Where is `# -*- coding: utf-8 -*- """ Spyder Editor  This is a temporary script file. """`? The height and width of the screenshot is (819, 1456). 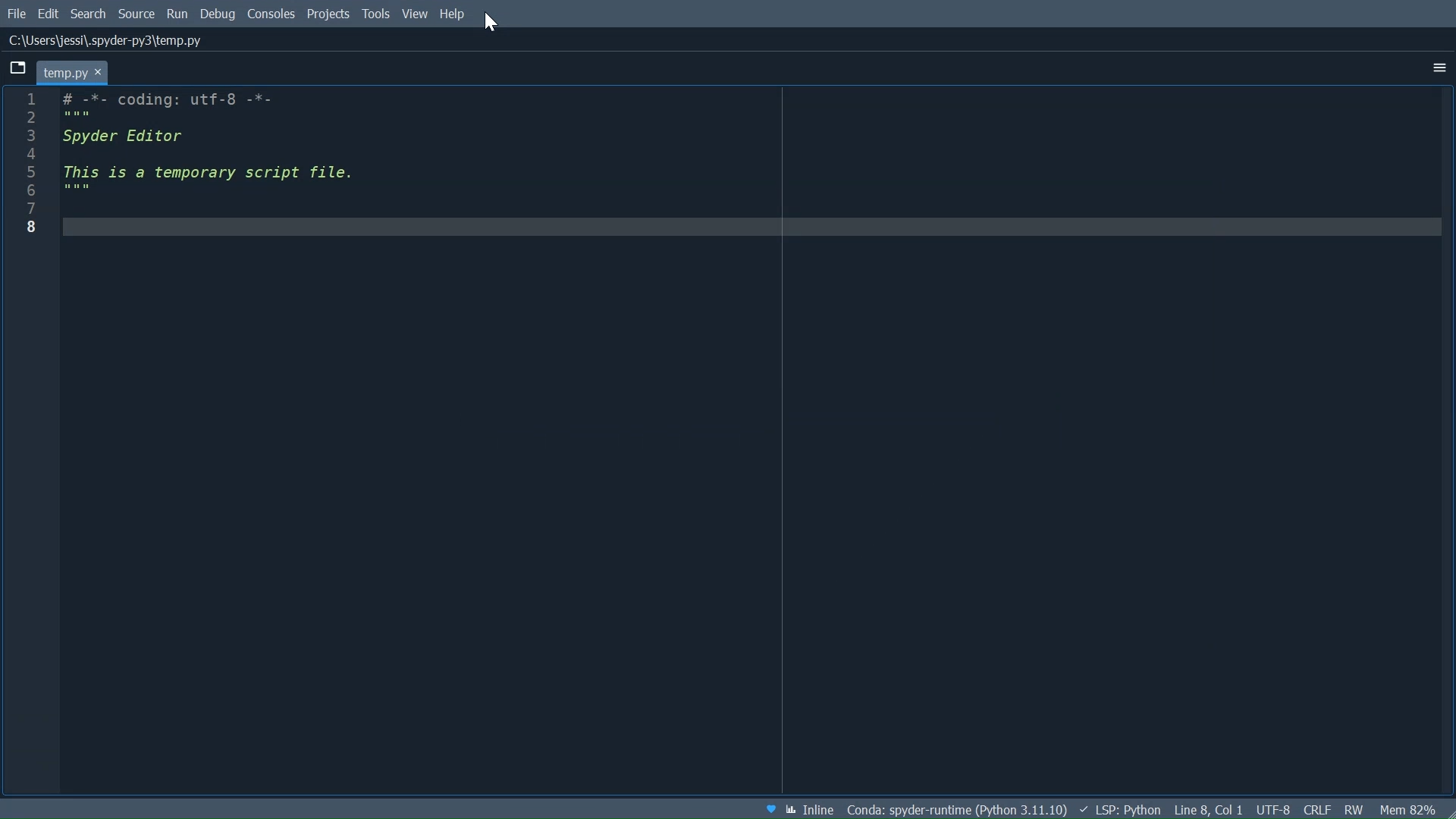 # -*- coding: utf-8 -*- """ Spyder Editor  This is a temporary script file. """ is located at coordinates (746, 444).